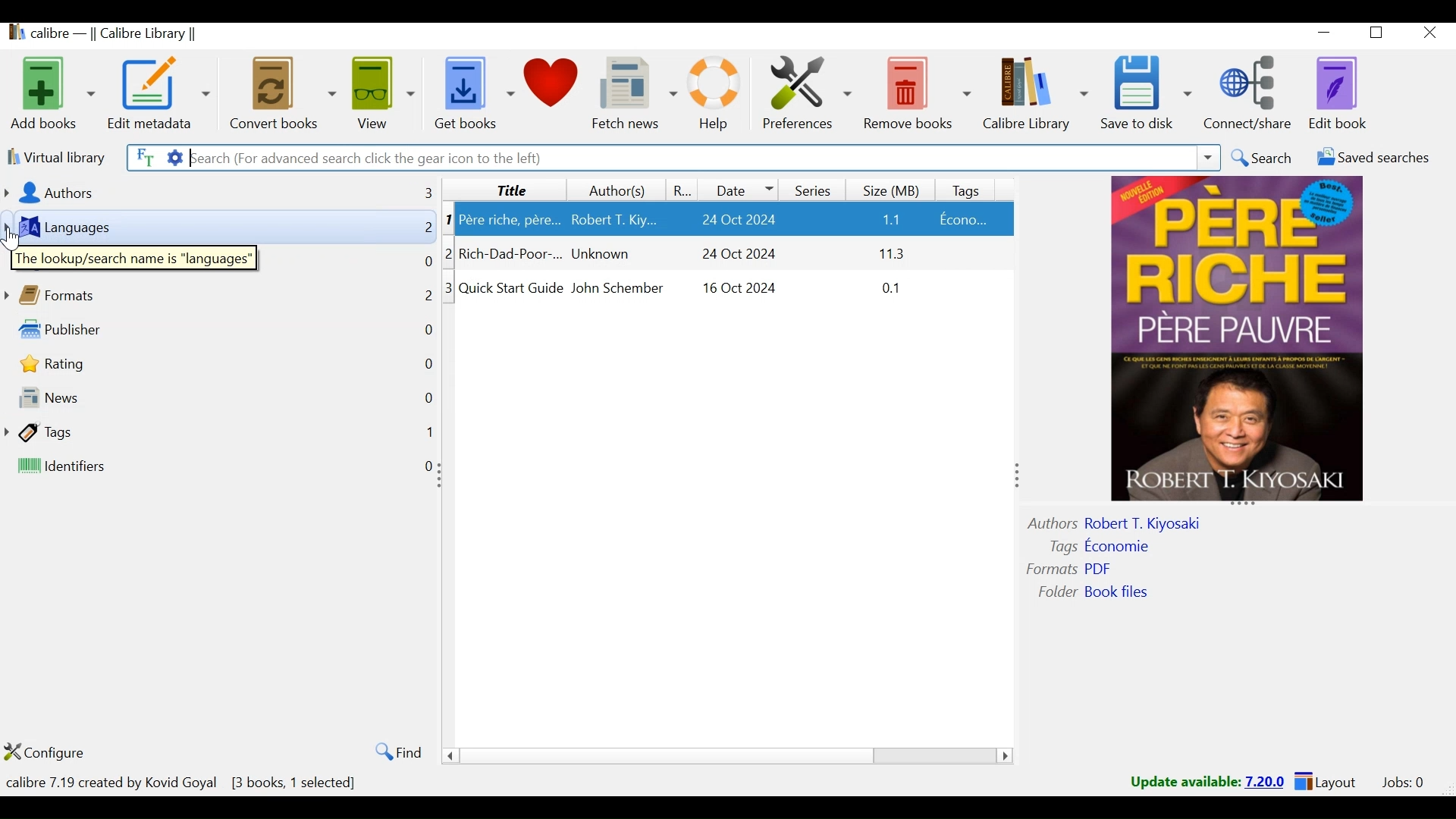 The width and height of the screenshot is (1456, 819). Describe the element at coordinates (425, 467) in the screenshot. I see `0:` at that location.